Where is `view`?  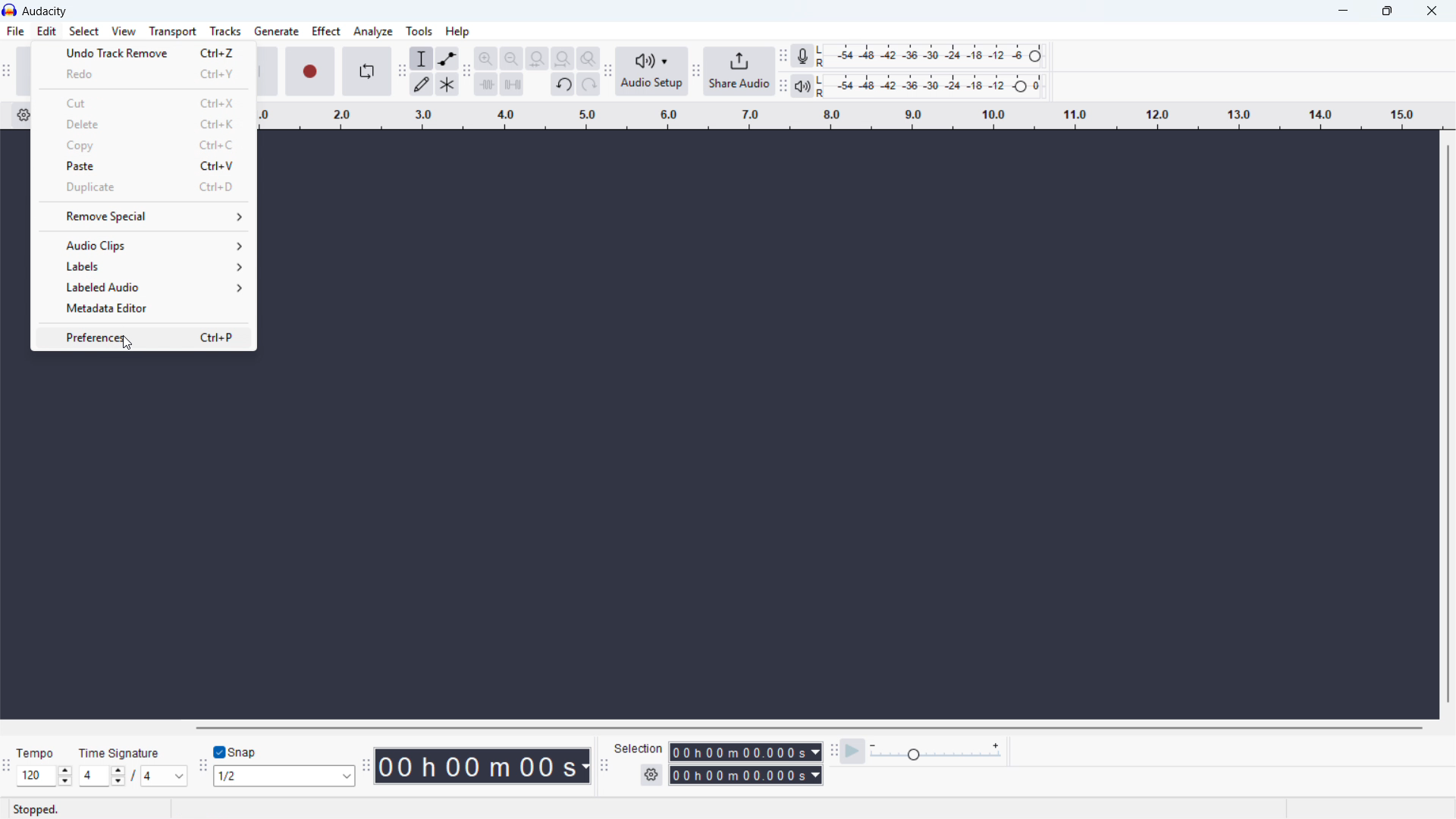
view is located at coordinates (124, 31).